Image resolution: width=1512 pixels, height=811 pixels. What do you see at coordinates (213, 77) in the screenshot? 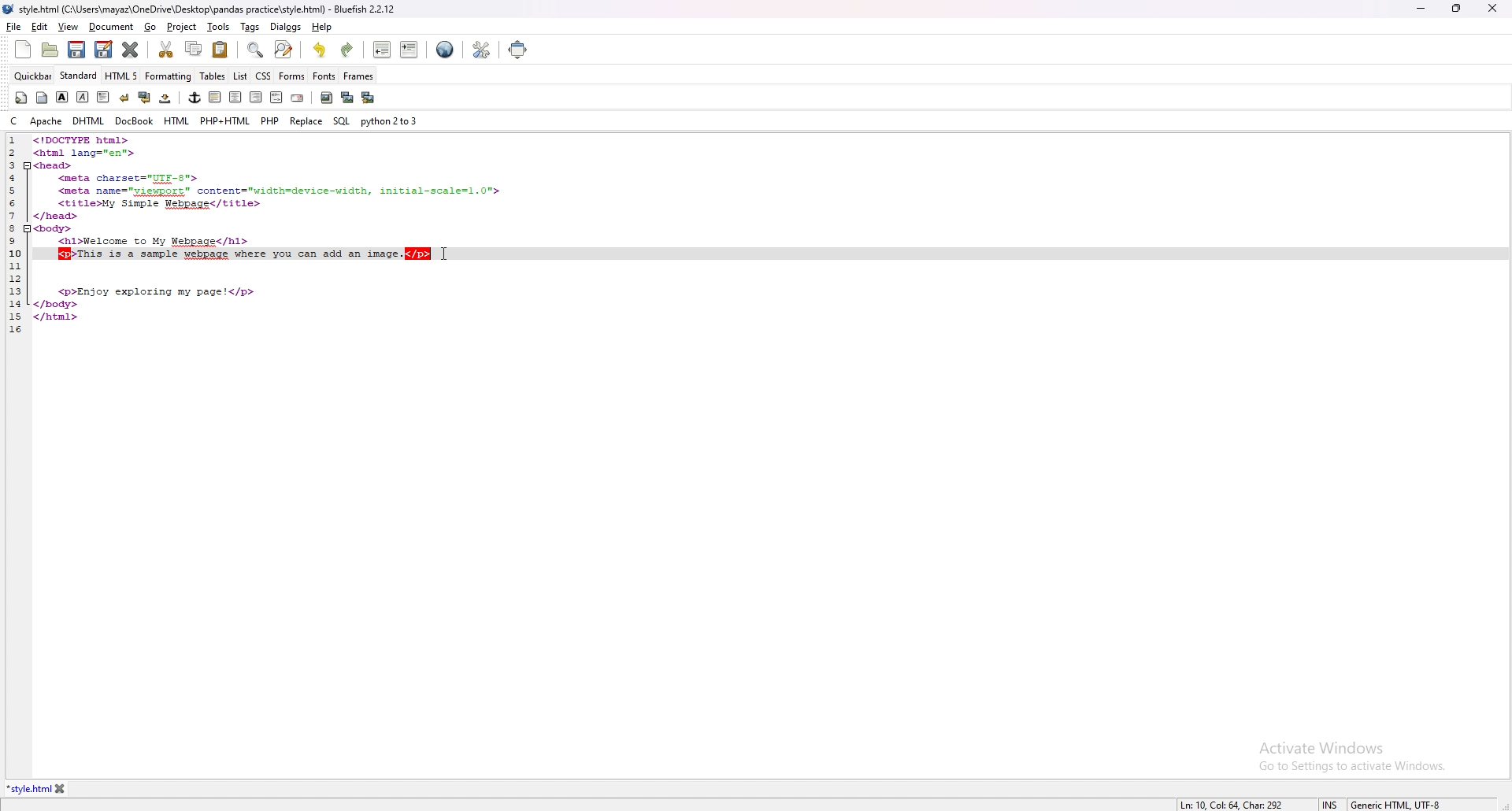
I see `tables` at bounding box center [213, 77].